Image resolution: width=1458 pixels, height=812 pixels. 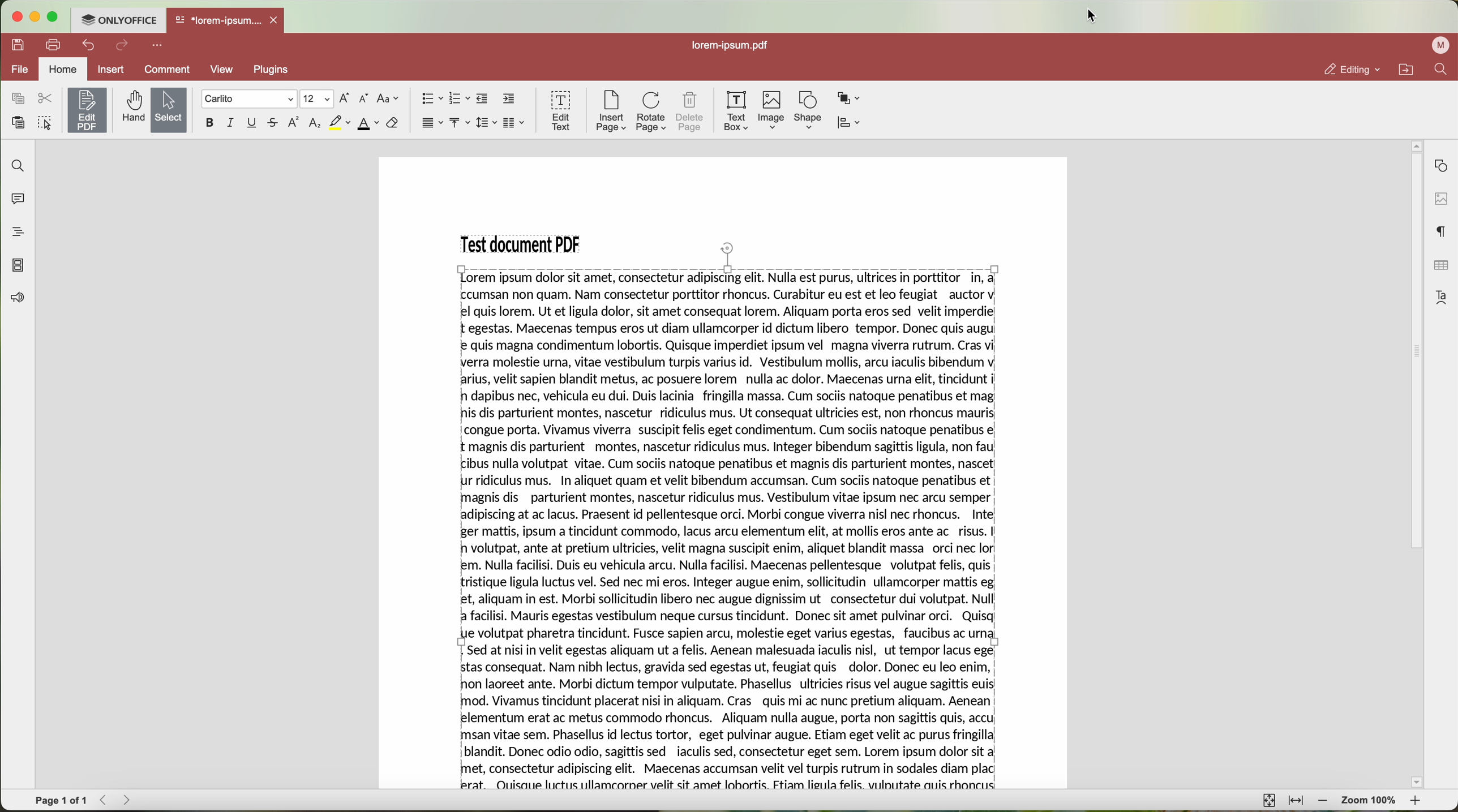 What do you see at coordinates (225, 70) in the screenshot?
I see `View` at bounding box center [225, 70].